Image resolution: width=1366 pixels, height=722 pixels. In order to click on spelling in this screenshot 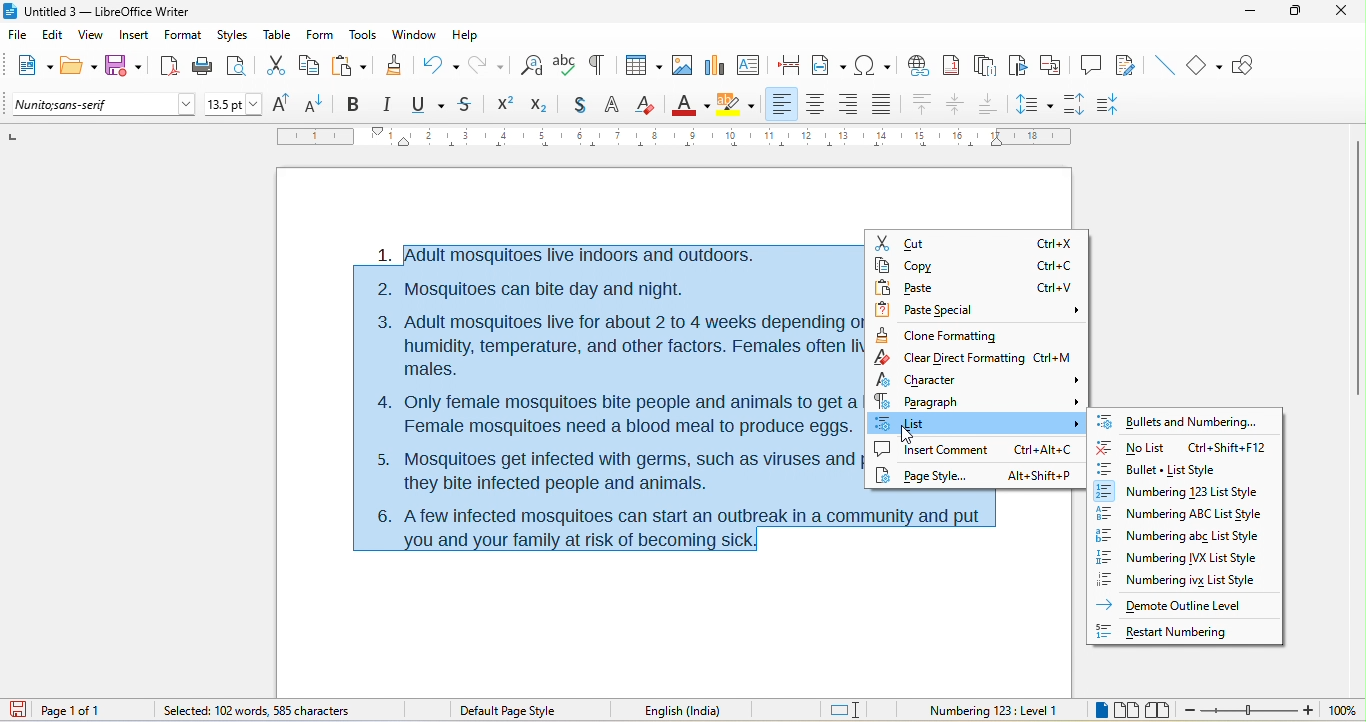, I will do `click(565, 67)`.